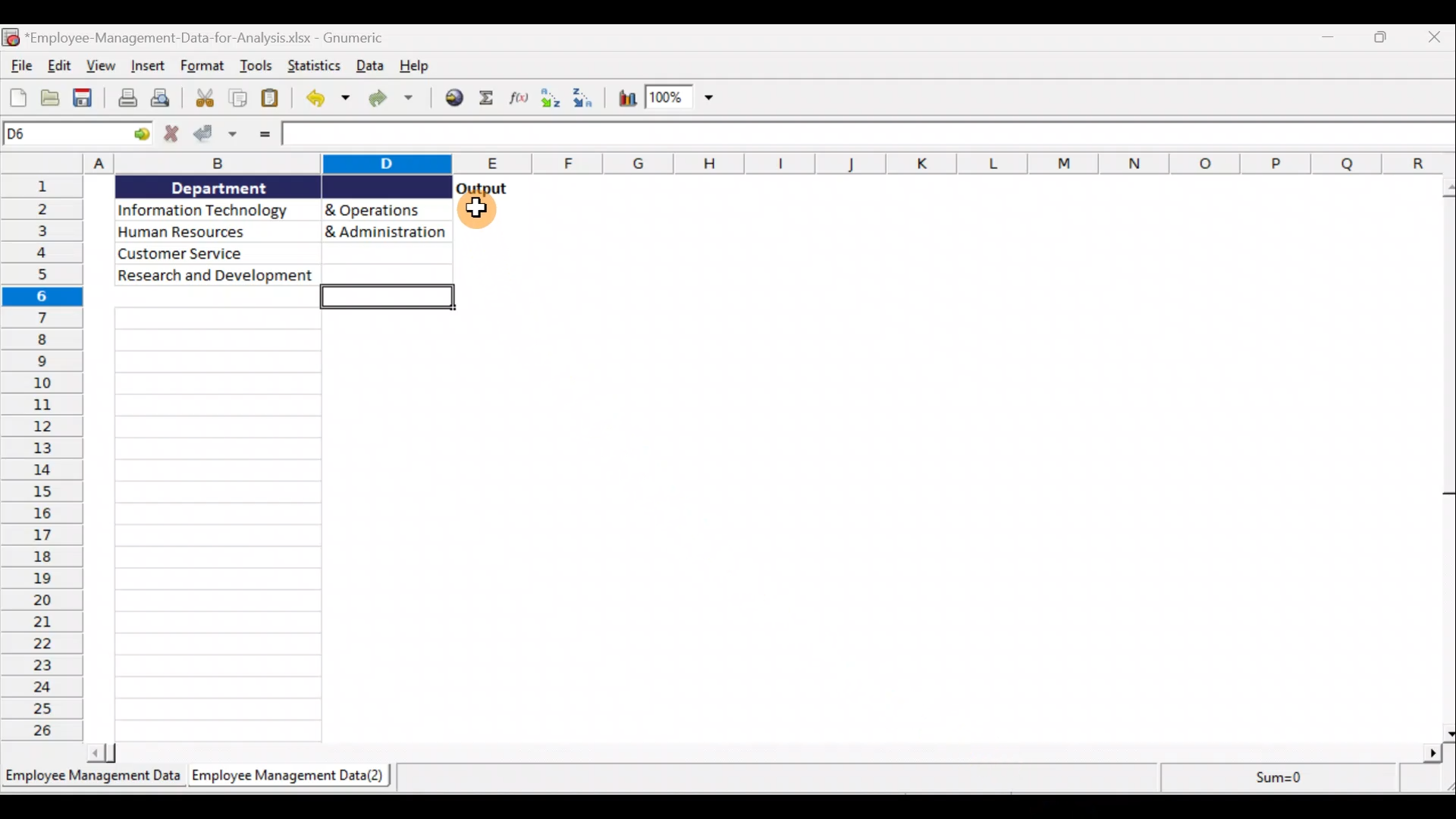 This screenshot has height=819, width=1456. What do you see at coordinates (549, 99) in the screenshot?
I see `Sort Ascending` at bounding box center [549, 99].